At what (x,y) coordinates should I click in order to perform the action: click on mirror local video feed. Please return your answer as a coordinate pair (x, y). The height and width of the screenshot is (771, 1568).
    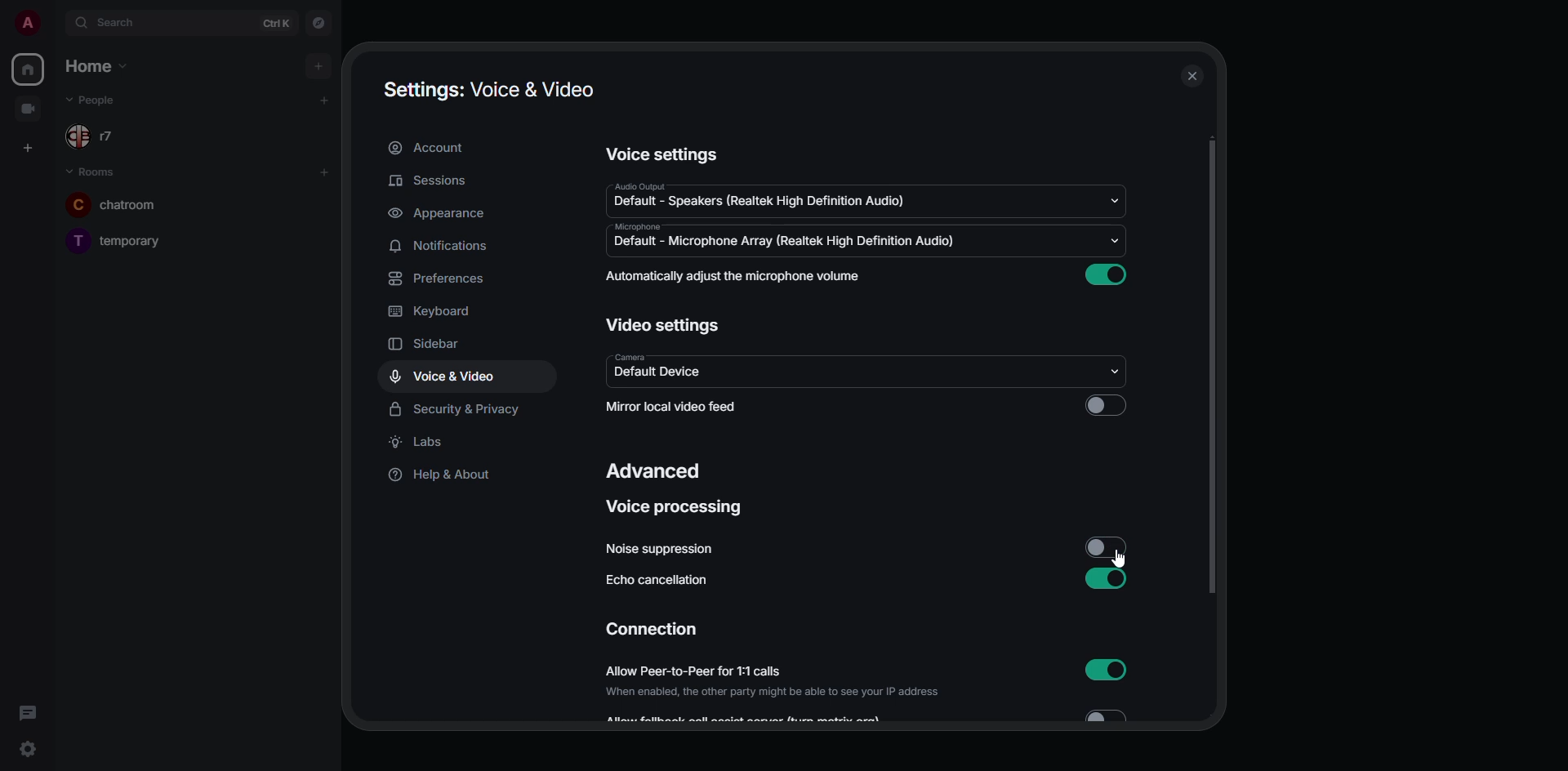
    Looking at the image, I should click on (676, 407).